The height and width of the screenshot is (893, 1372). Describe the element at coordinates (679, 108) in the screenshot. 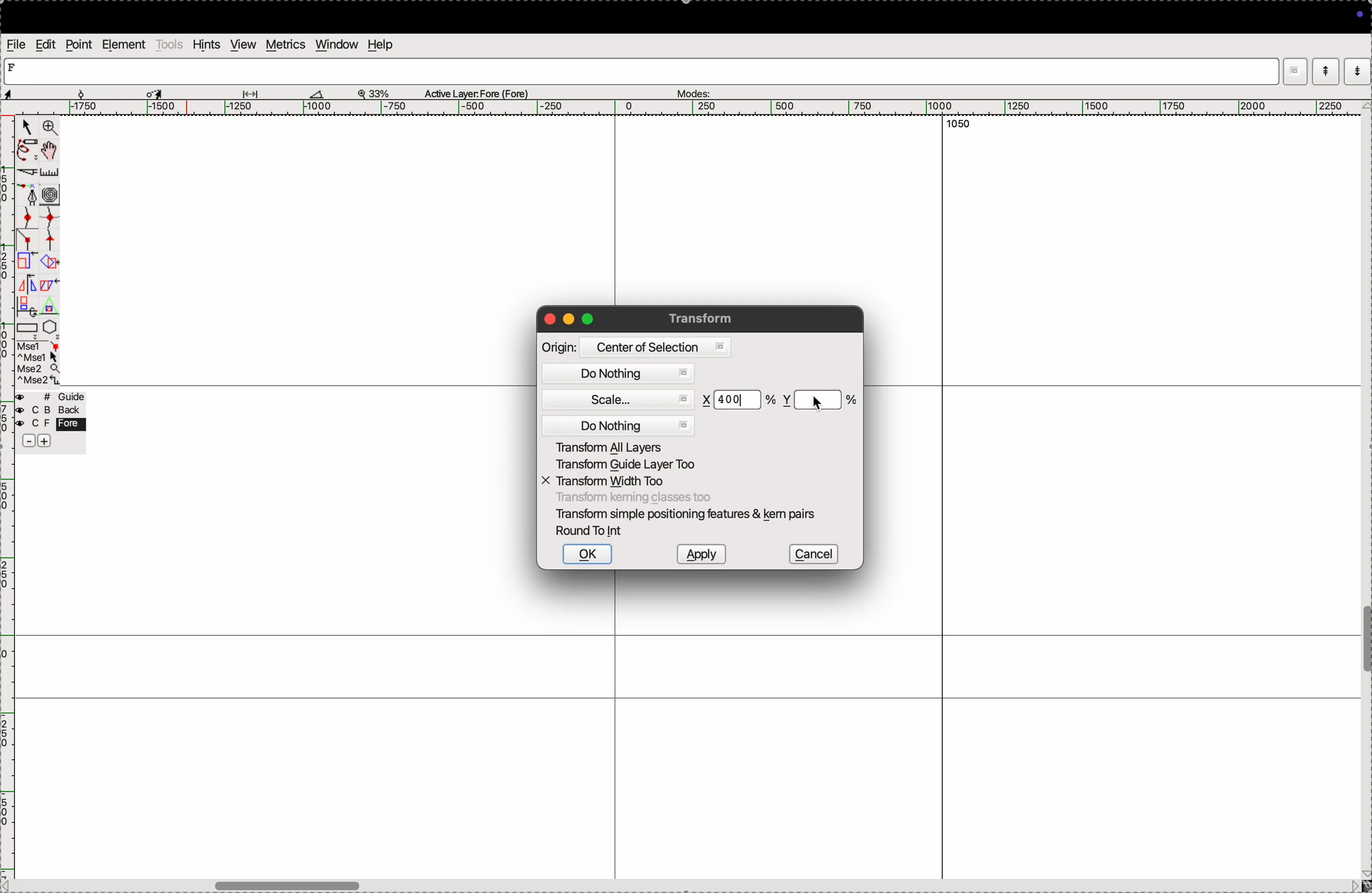

I see `horizontal scale` at that location.